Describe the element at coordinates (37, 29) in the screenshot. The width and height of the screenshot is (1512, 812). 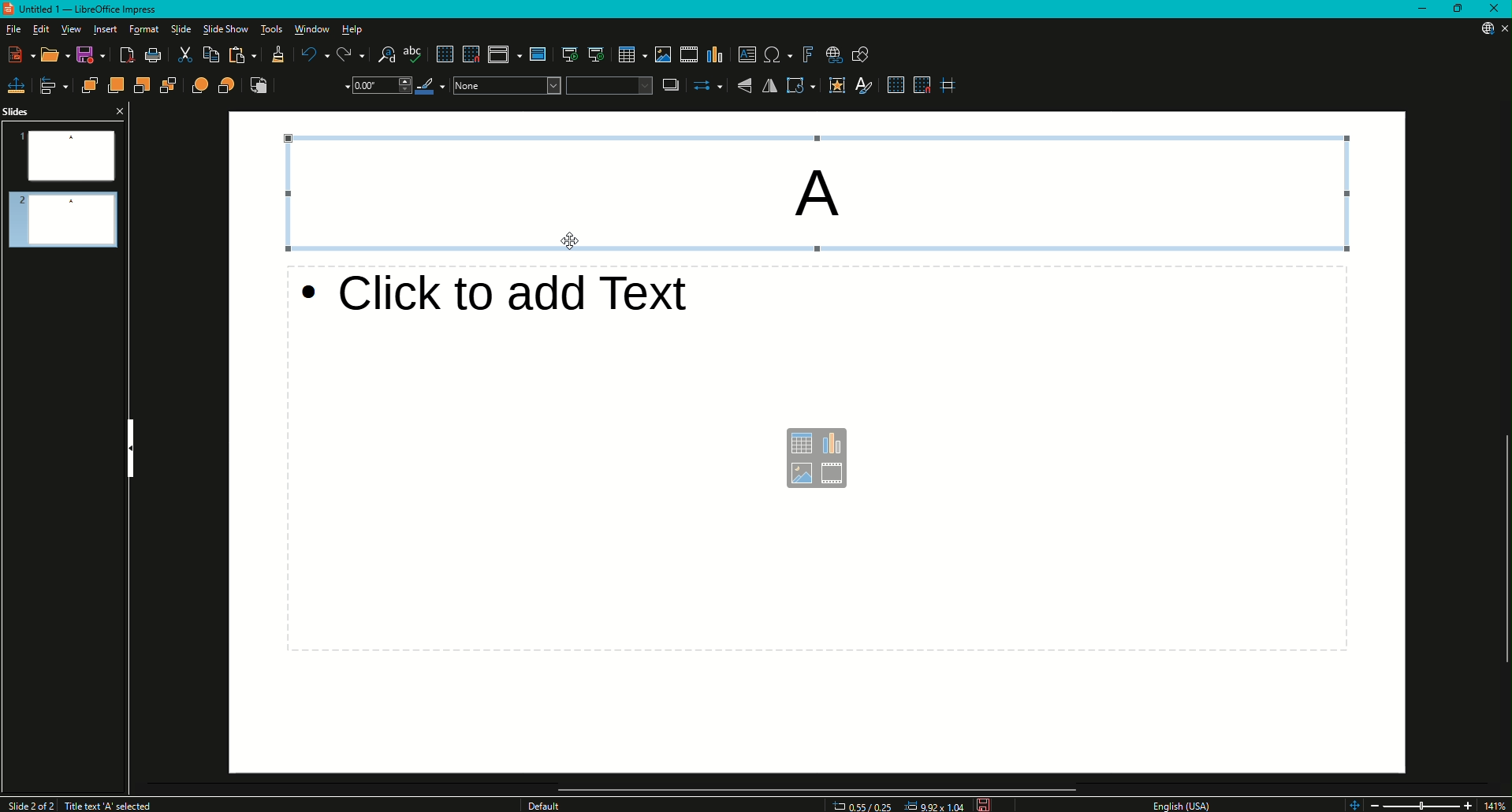
I see `Edit` at that location.